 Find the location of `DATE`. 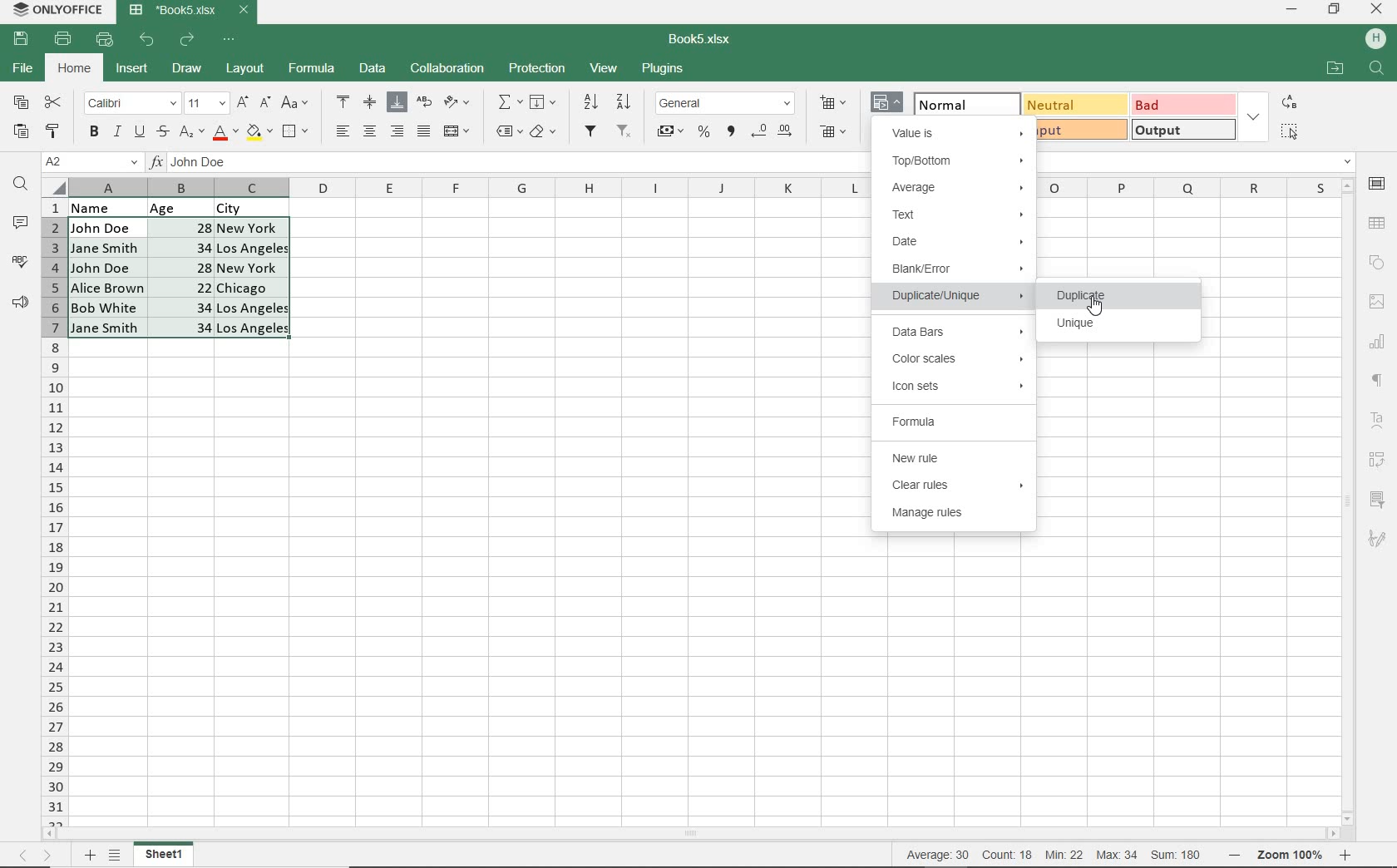

DATE is located at coordinates (956, 244).